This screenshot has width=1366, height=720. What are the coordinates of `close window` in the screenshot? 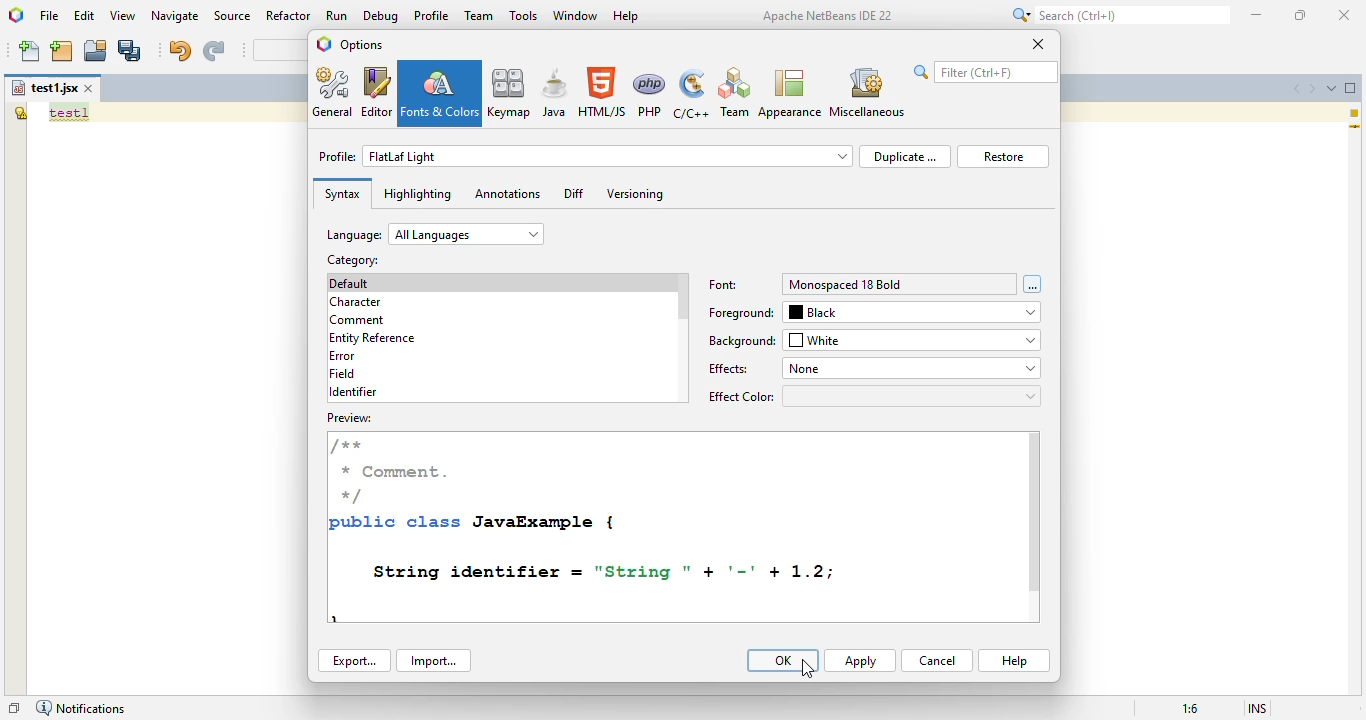 It's located at (90, 88).